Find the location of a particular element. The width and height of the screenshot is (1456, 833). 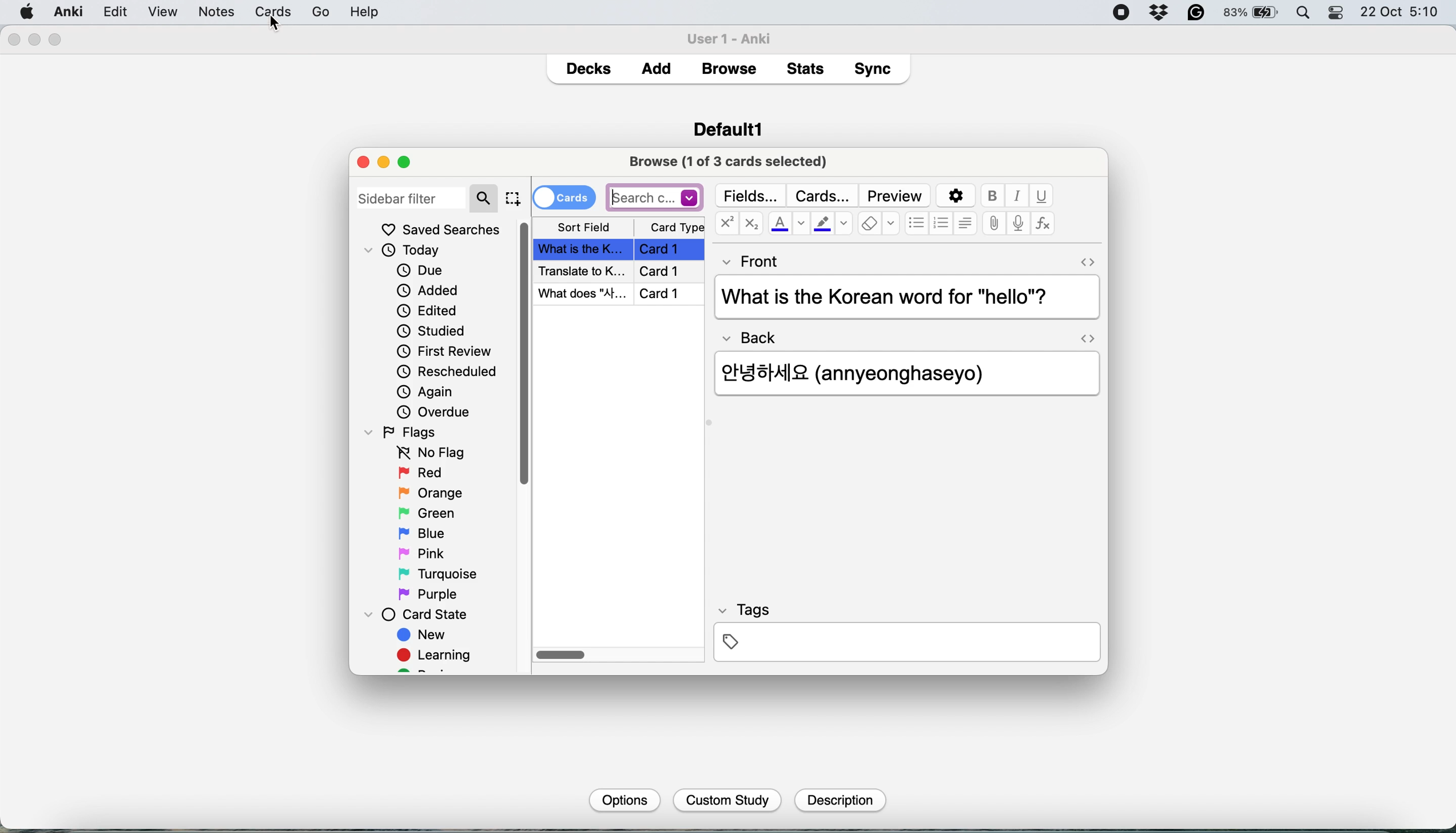

Browse is located at coordinates (728, 69).